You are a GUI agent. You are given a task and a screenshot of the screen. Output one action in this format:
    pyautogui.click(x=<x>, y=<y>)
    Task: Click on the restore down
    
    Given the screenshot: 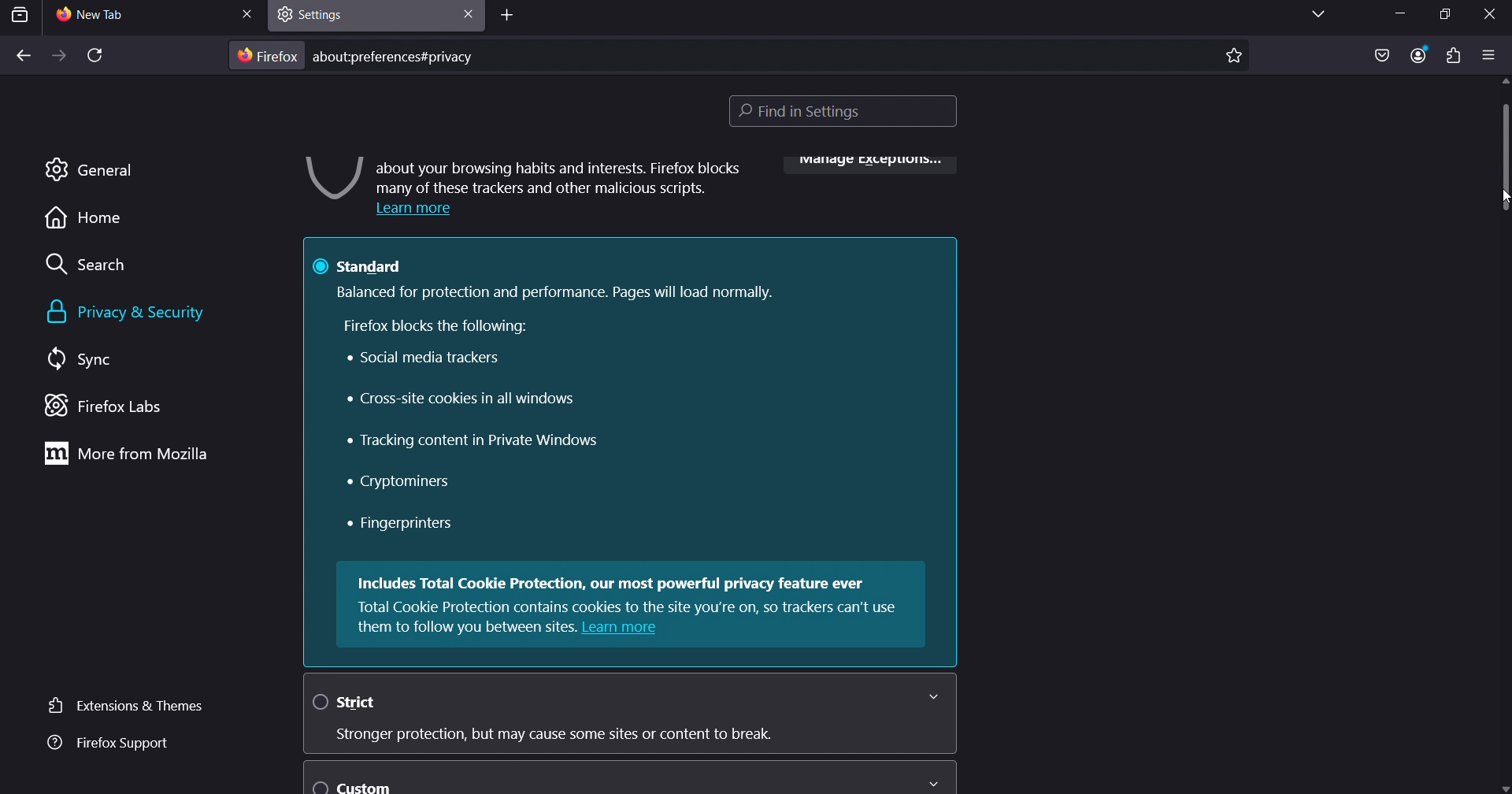 What is the action you would take?
    pyautogui.click(x=1438, y=14)
    